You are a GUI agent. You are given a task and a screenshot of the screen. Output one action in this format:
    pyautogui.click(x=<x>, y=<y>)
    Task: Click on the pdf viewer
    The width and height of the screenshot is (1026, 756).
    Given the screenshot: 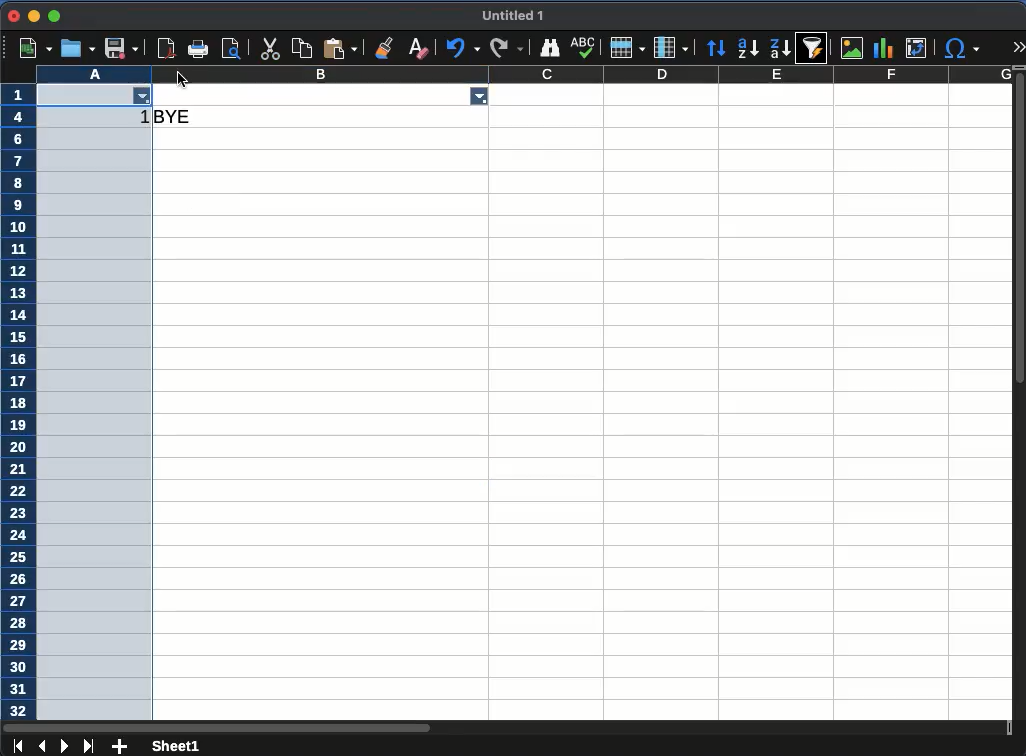 What is the action you would take?
    pyautogui.click(x=235, y=49)
    